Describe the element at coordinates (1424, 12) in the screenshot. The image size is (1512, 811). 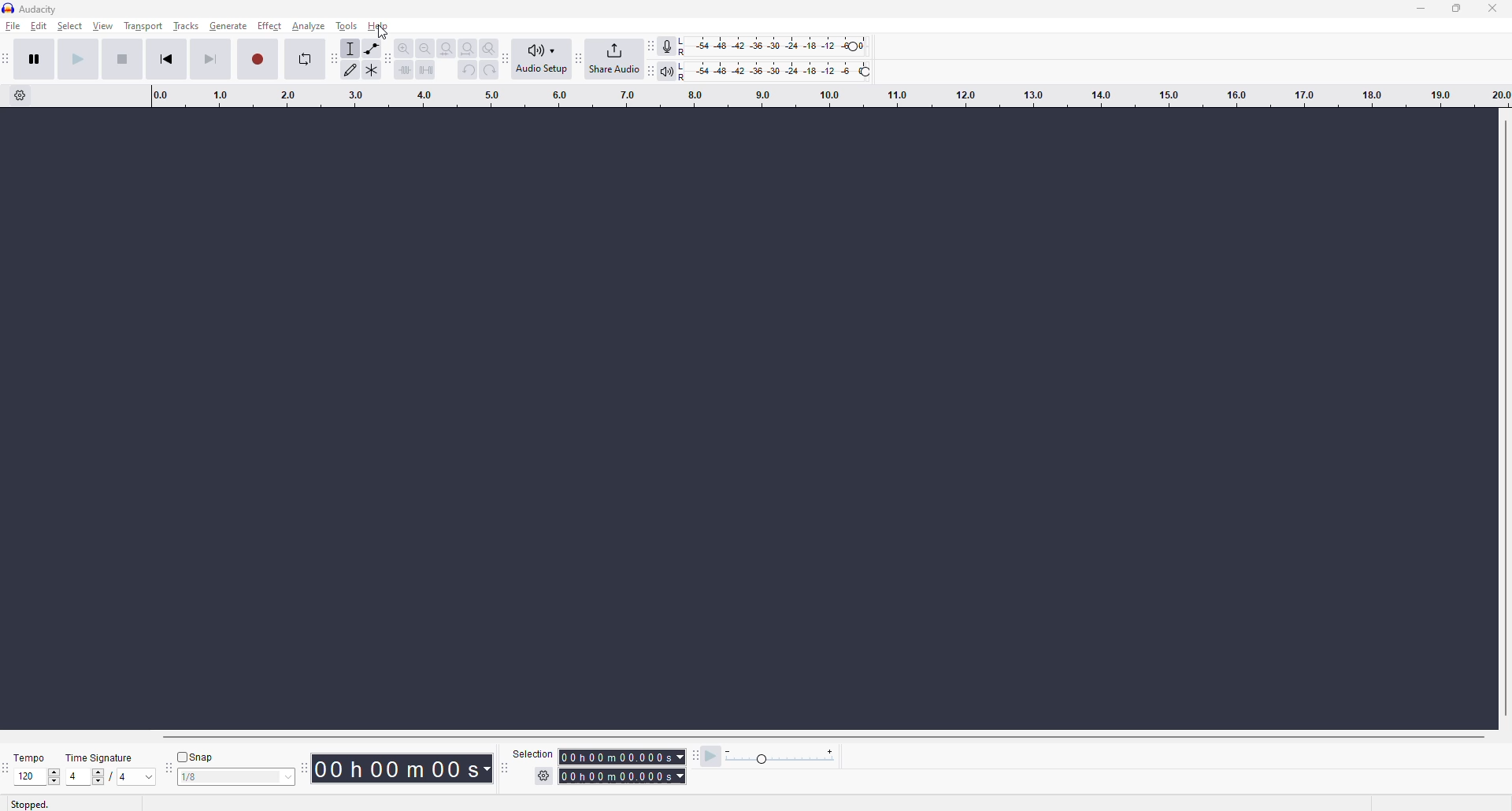
I see `minimize` at that location.